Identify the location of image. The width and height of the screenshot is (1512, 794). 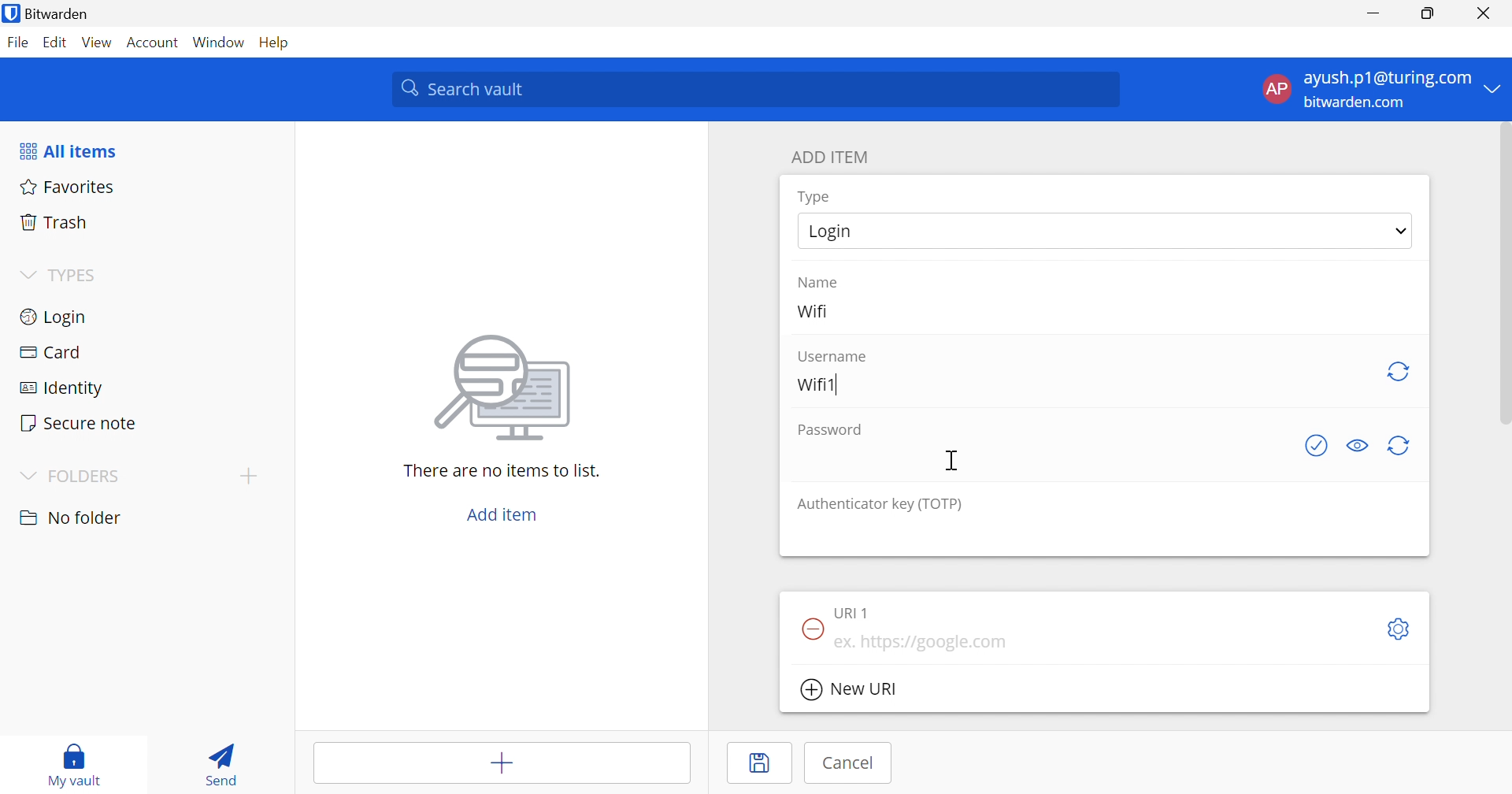
(507, 383).